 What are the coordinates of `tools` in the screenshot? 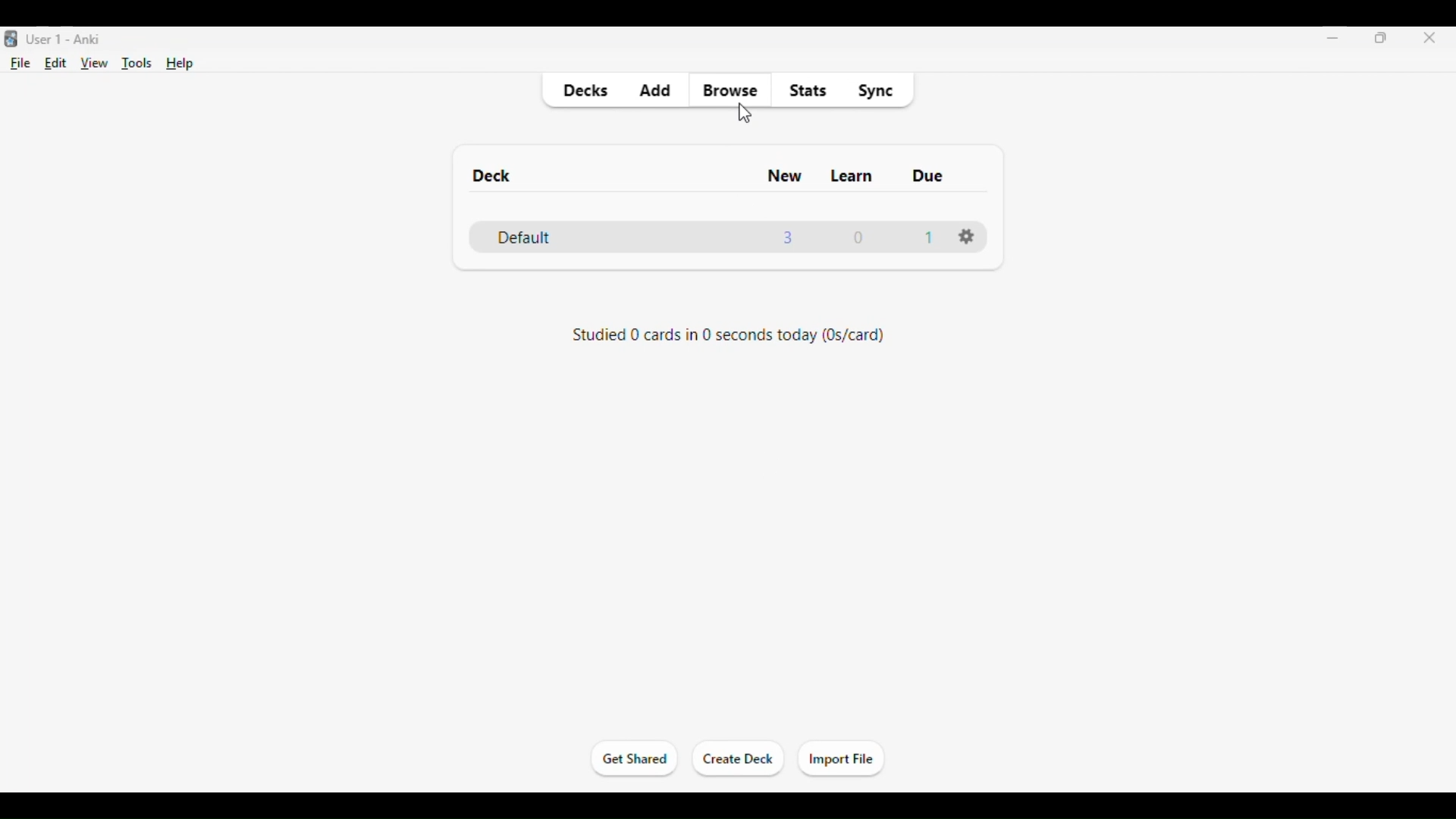 It's located at (138, 64).